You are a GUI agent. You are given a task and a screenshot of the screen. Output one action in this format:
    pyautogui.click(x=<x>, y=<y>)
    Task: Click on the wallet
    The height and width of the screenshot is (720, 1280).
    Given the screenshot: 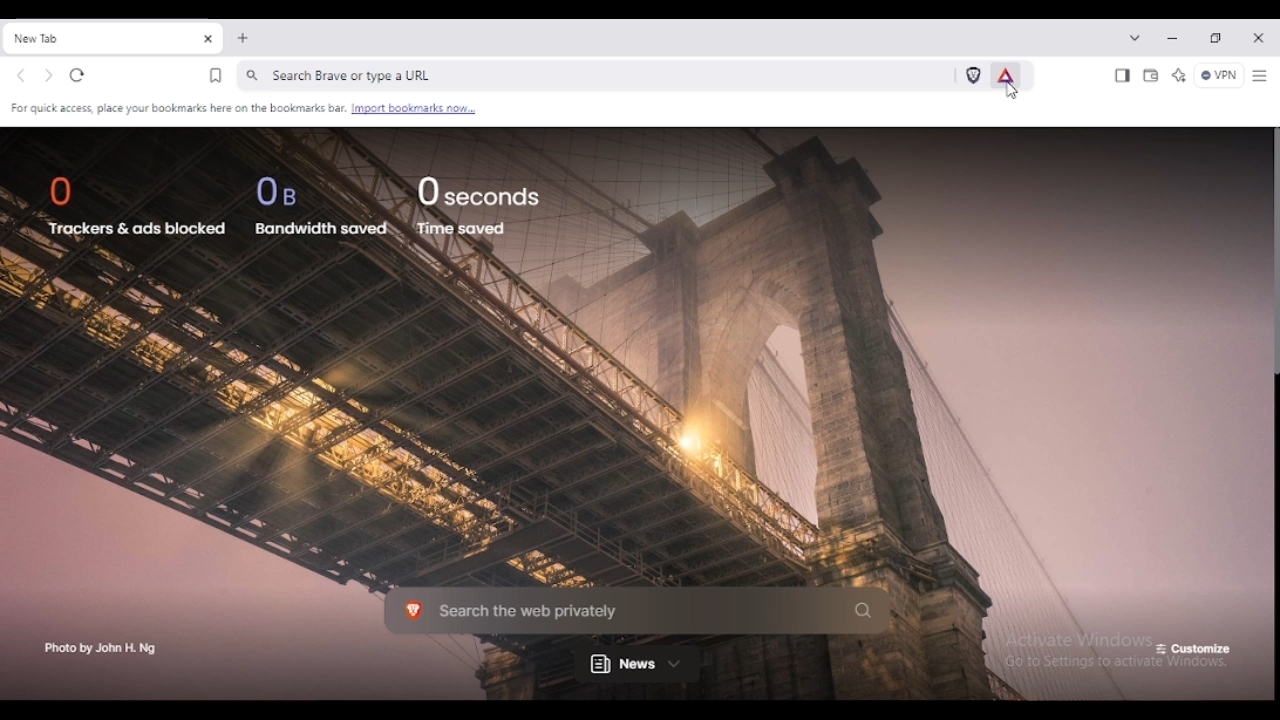 What is the action you would take?
    pyautogui.click(x=1151, y=77)
    